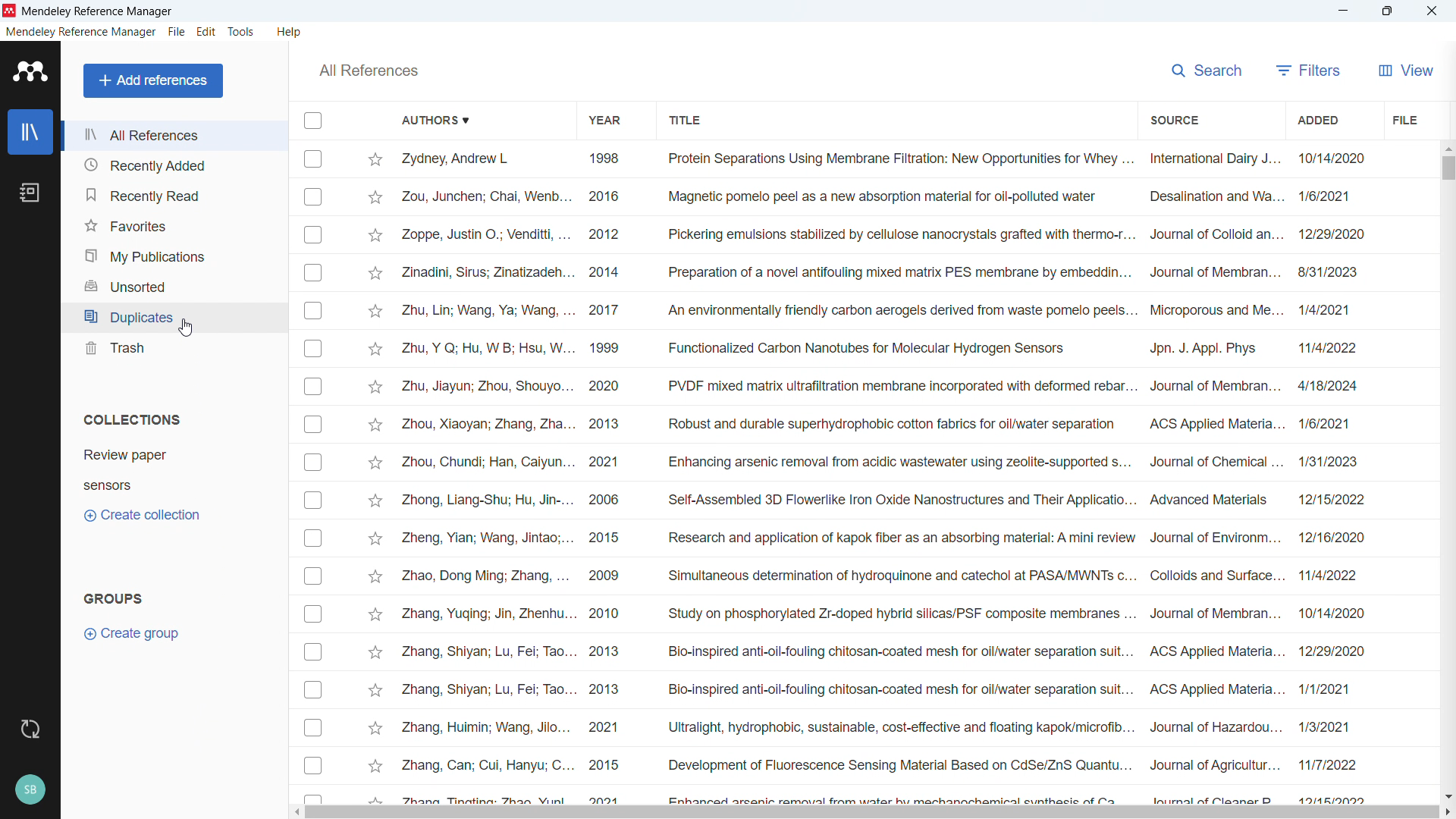 The height and width of the screenshot is (819, 1456). I want to click on profile, so click(29, 789).